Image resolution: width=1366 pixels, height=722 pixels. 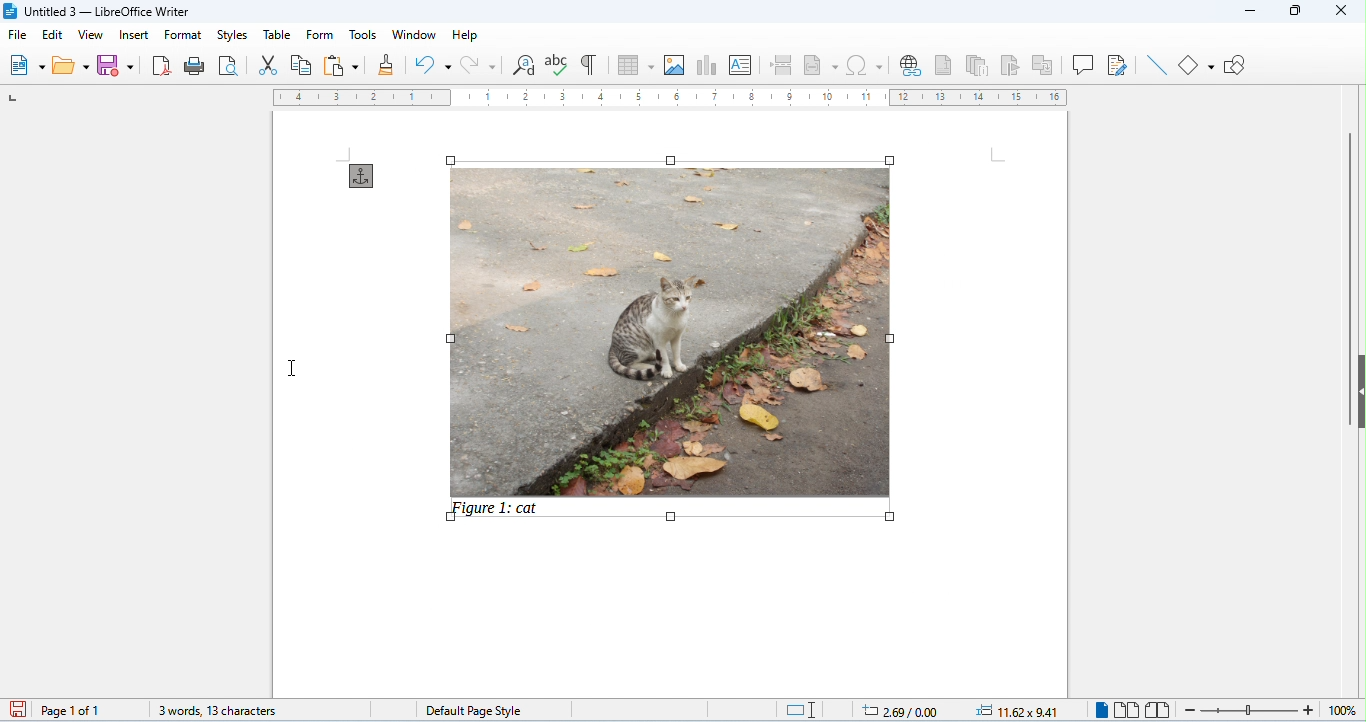 What do you see at coordinates (981, 66) in the screenshot?
I see `insert endnote` at bounding box center [981, 66].